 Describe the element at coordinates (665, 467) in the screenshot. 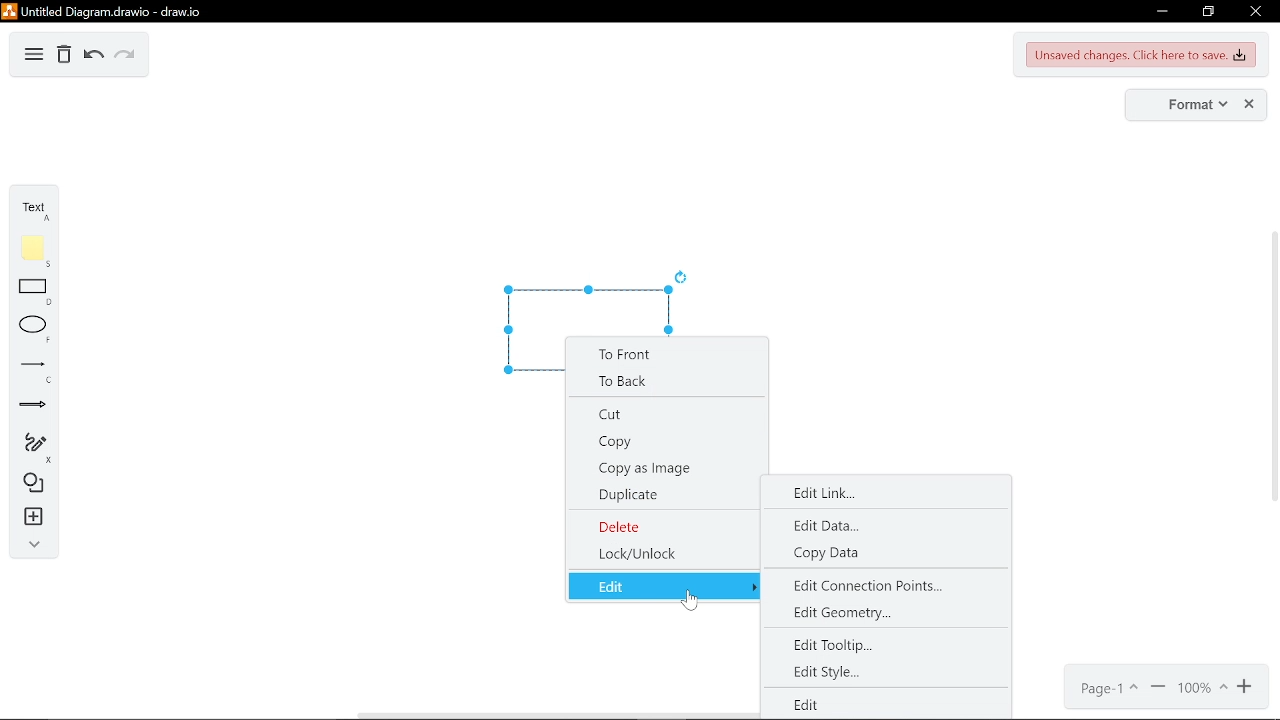

I see `copy as image` at that location.